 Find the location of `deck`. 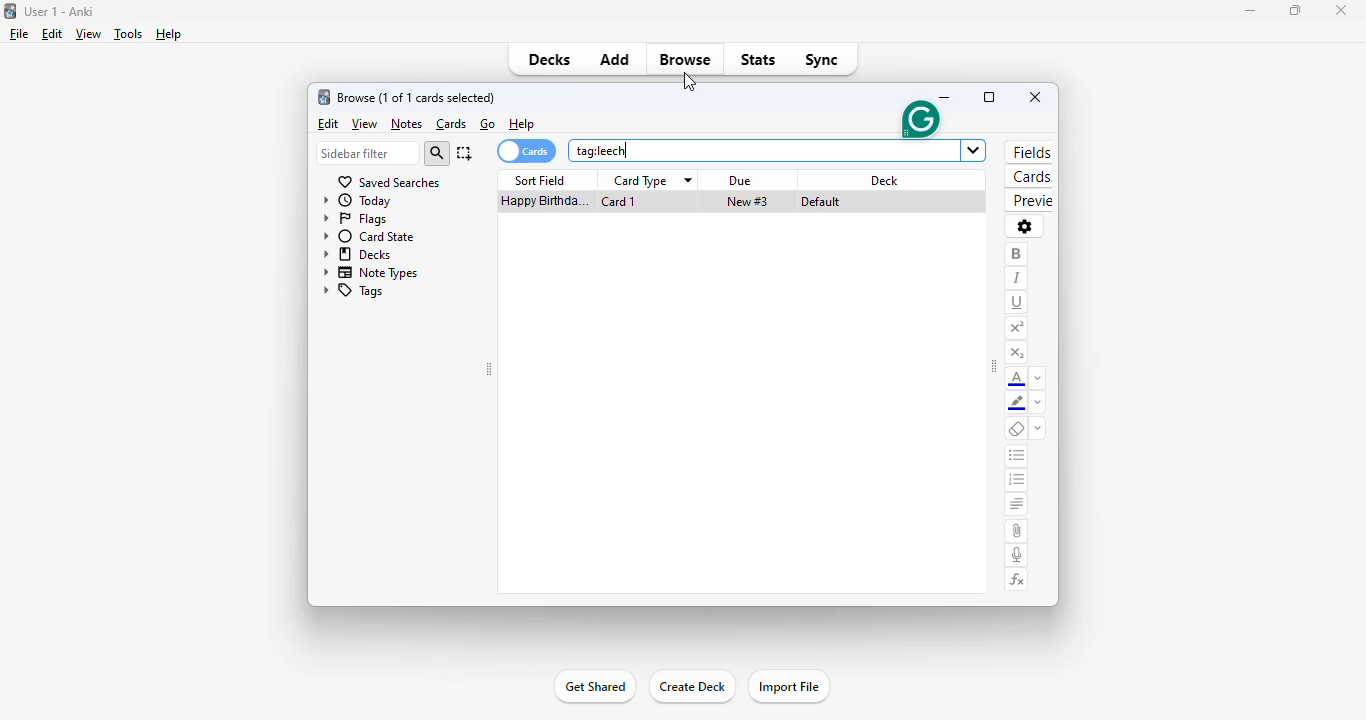

deck is located at coordinates (883, 179).